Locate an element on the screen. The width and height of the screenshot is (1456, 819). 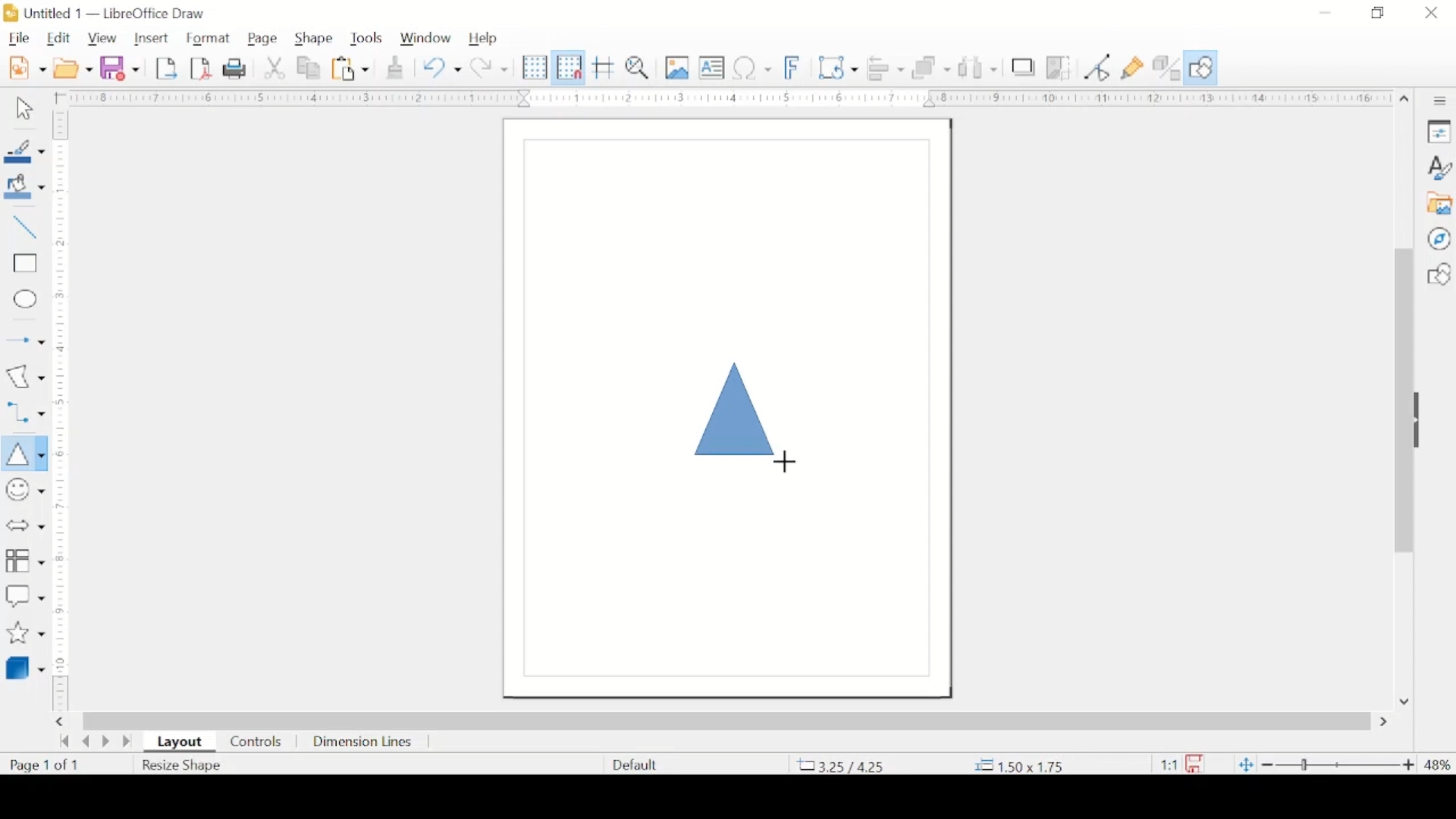
sidebar settings is located at coordinates (1442, 102).